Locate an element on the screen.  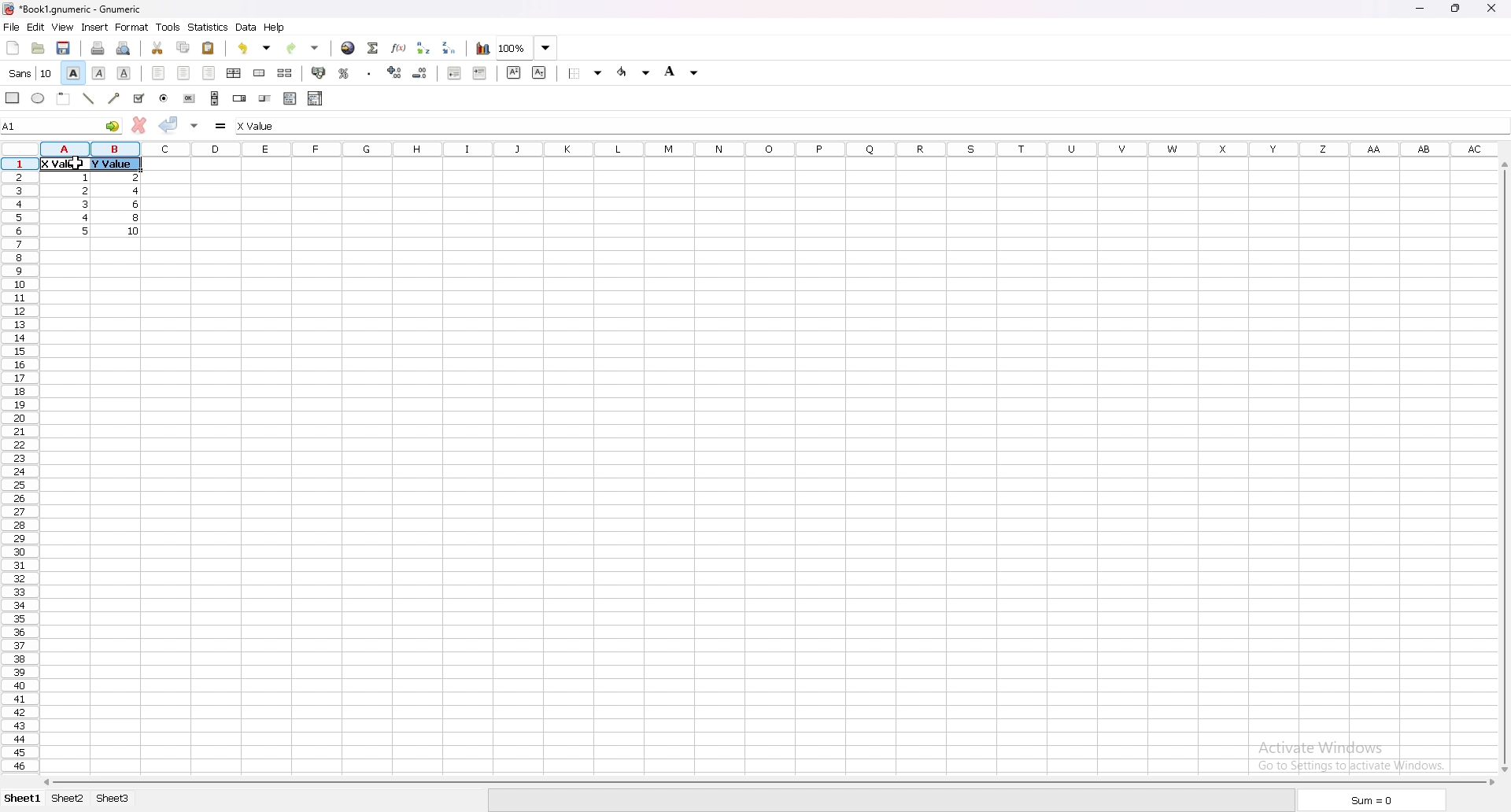
slider is located at coordinates (266, 98).